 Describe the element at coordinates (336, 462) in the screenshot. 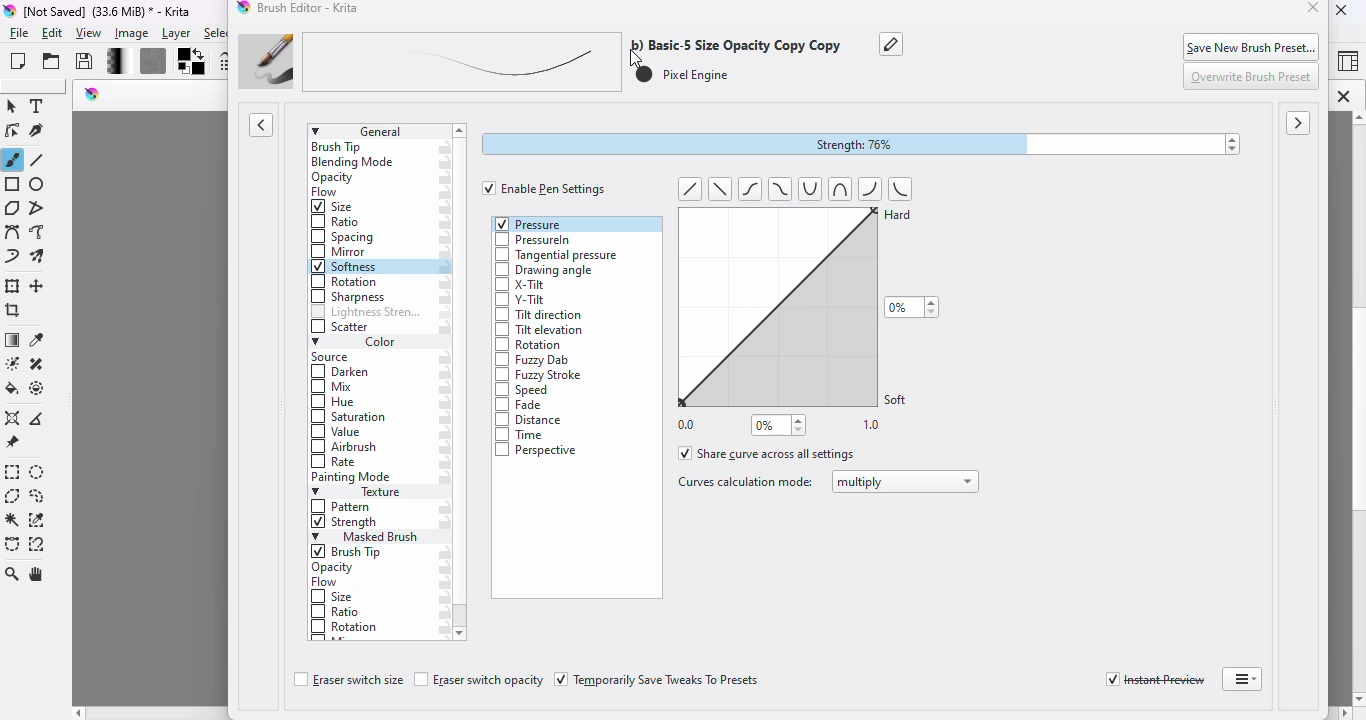

I see `rate` at that location.